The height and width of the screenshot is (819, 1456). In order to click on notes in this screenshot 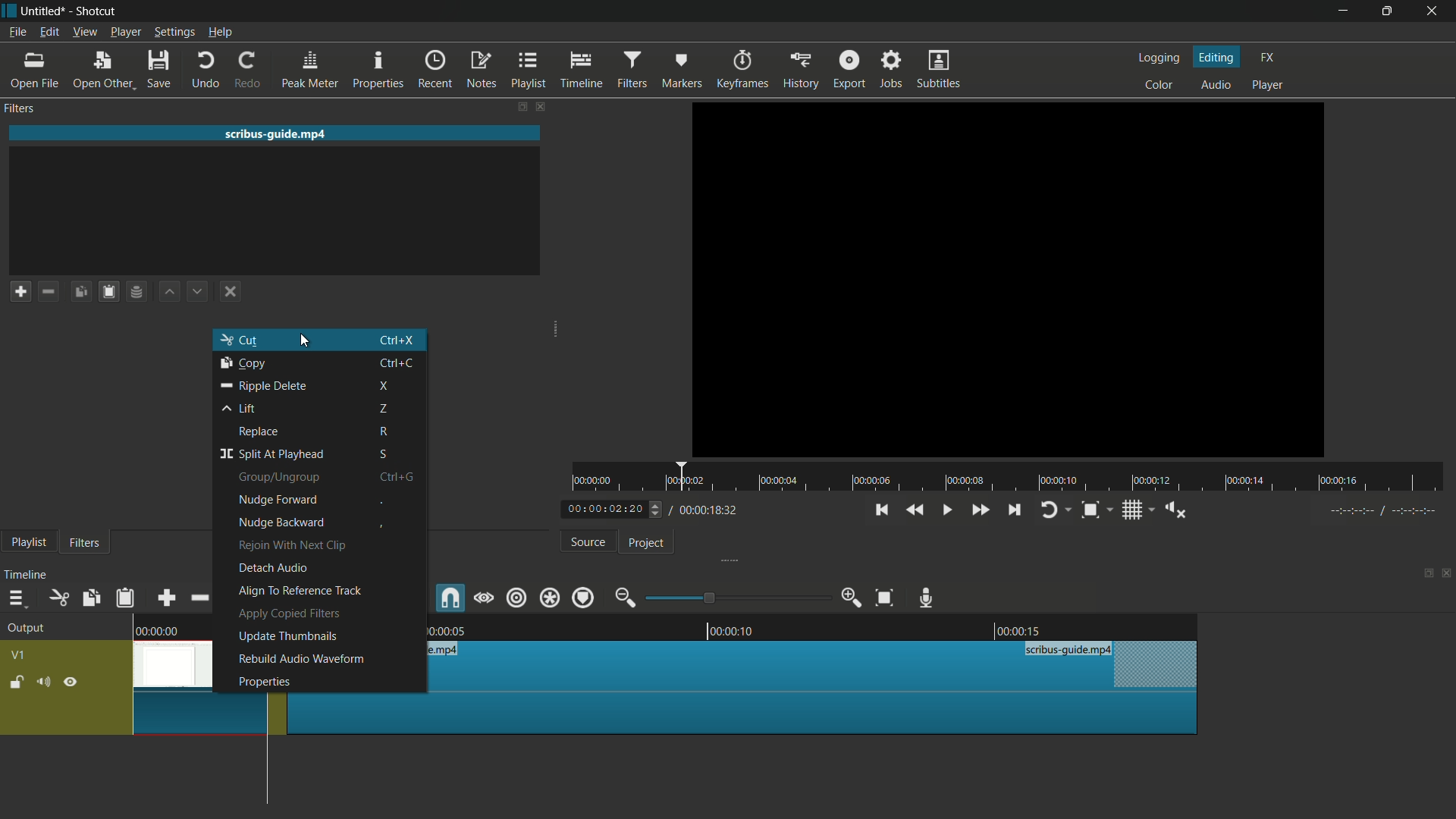, I will do `click(483, 70)`.